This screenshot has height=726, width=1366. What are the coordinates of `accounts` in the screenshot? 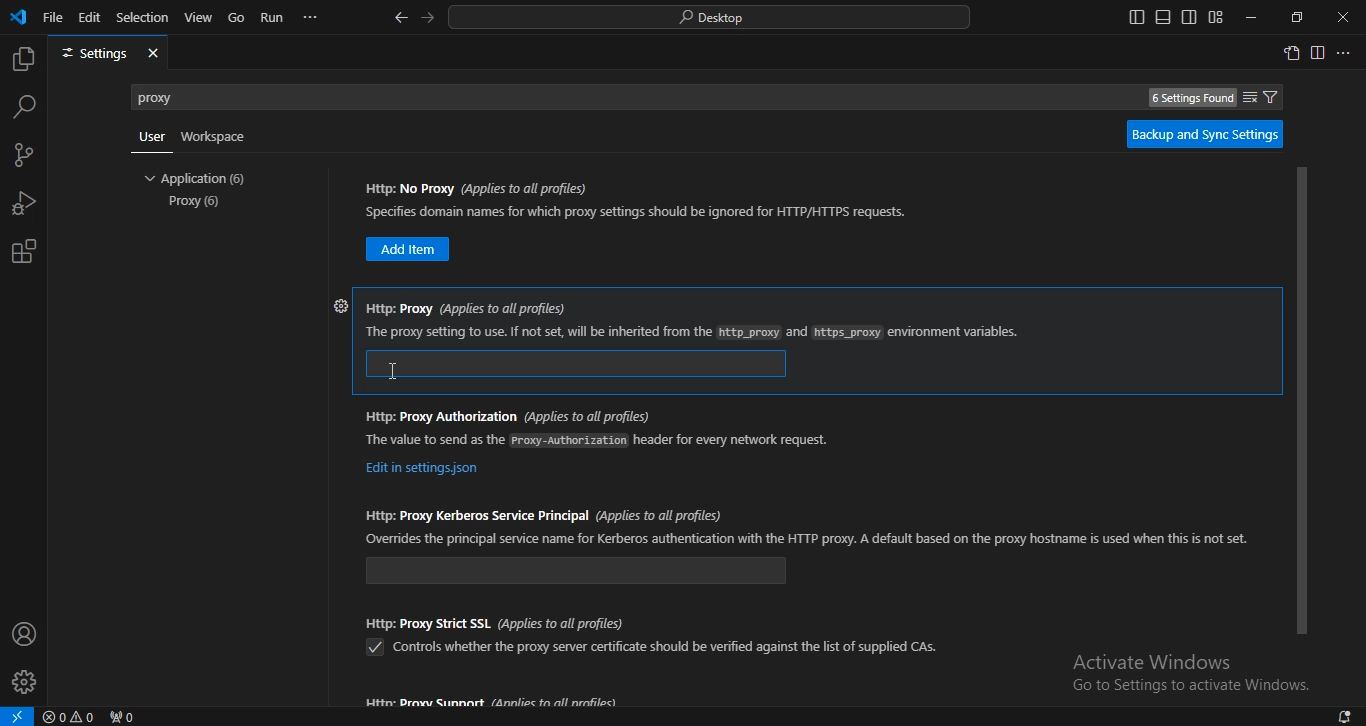 It's located at (23, 634).